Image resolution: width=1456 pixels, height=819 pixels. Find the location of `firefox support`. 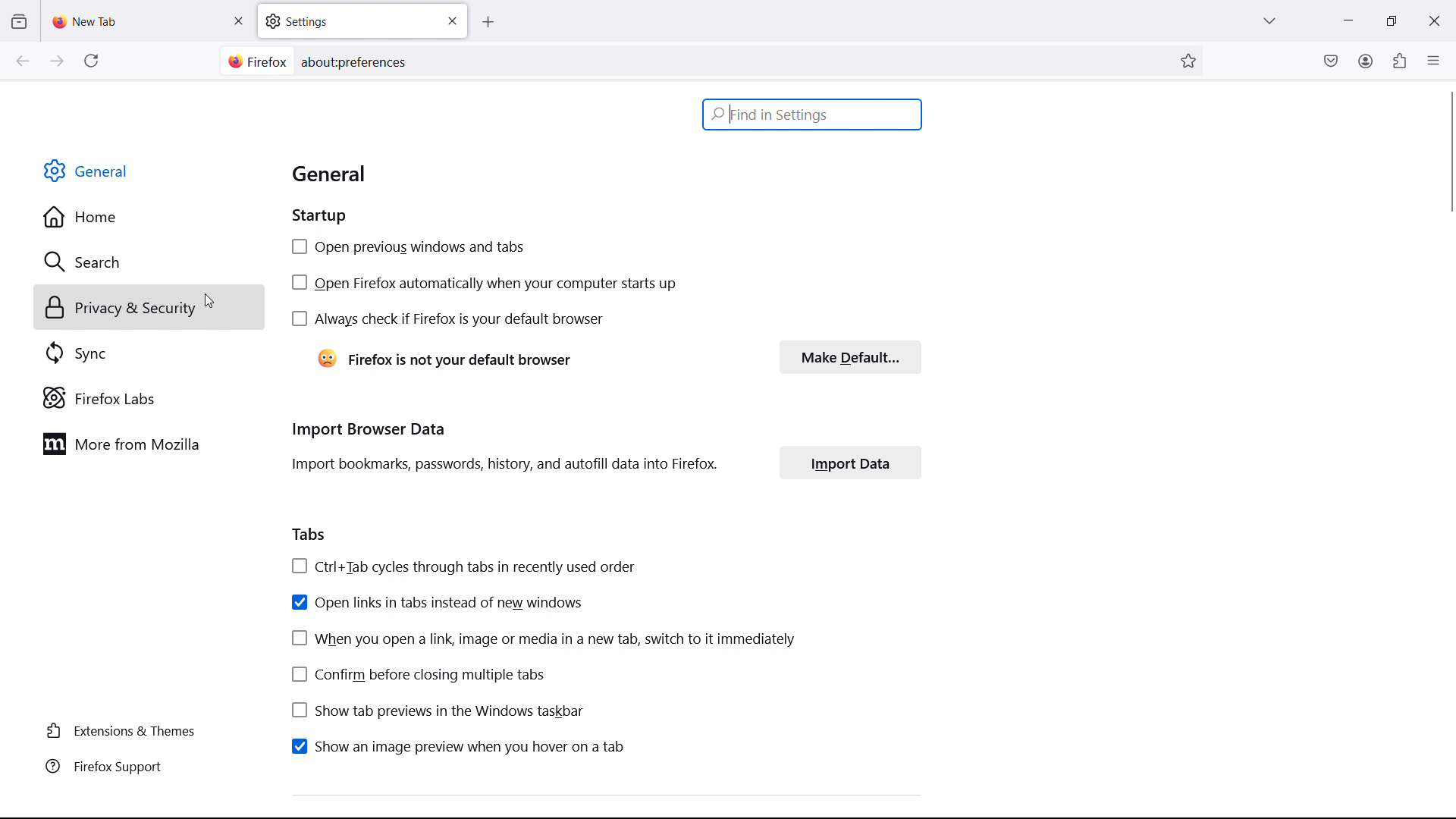

firefox support is located at coordinates (124, 767).